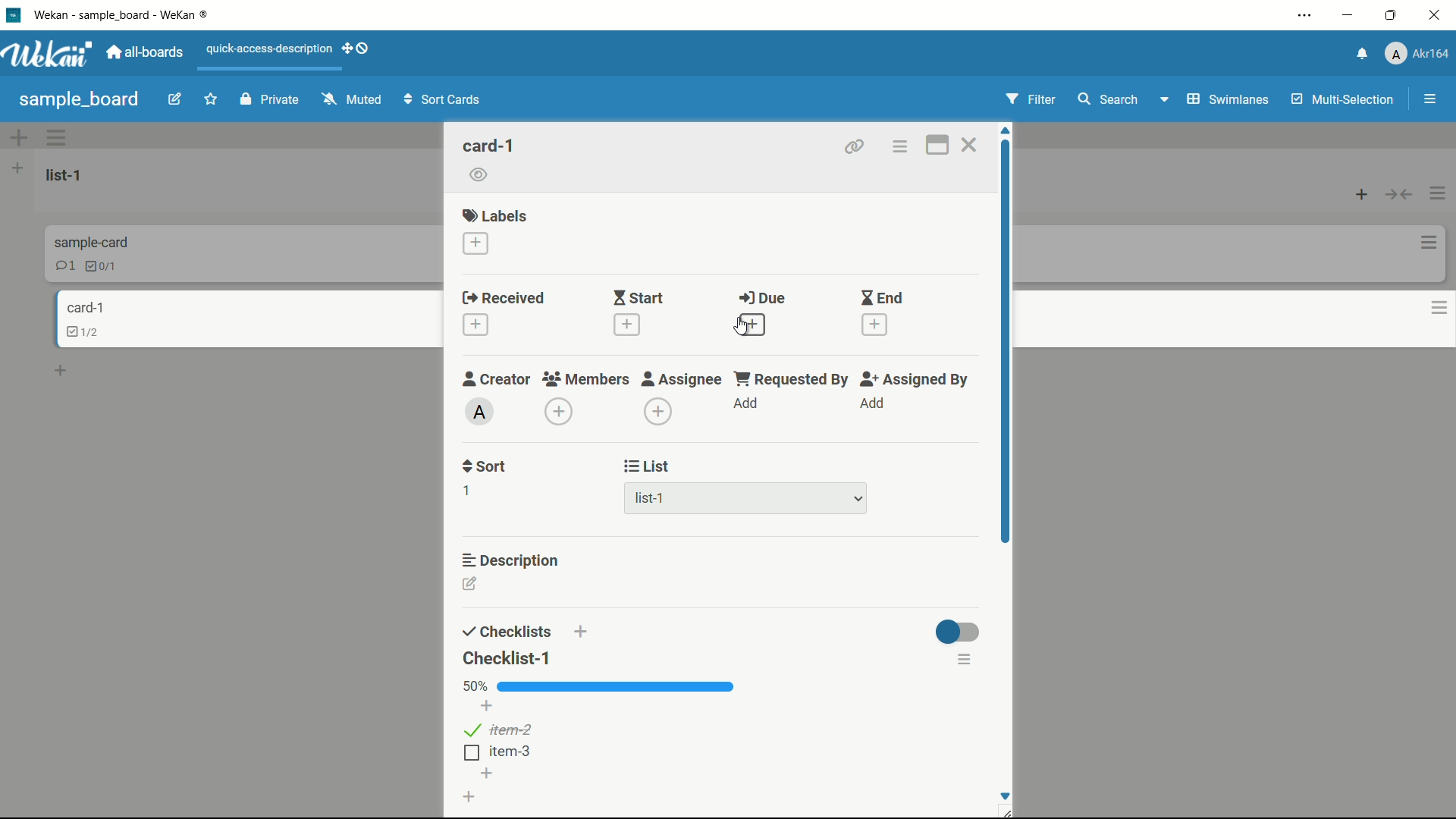  What do you see at coordinates (1341, 100) in the screenshot?
I see `multi-selection` at bounding box center [1341, 100].